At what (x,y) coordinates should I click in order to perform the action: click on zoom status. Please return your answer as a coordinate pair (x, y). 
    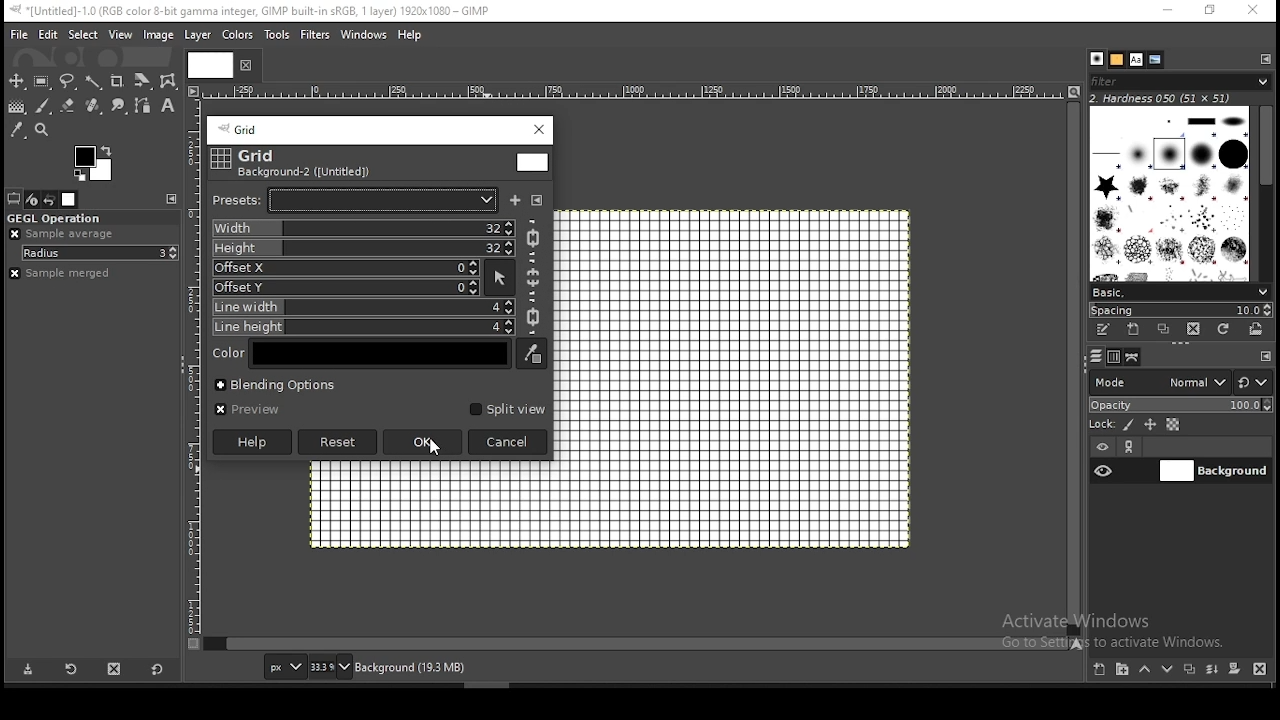
    Looking at the image, I should click on (331, 667).